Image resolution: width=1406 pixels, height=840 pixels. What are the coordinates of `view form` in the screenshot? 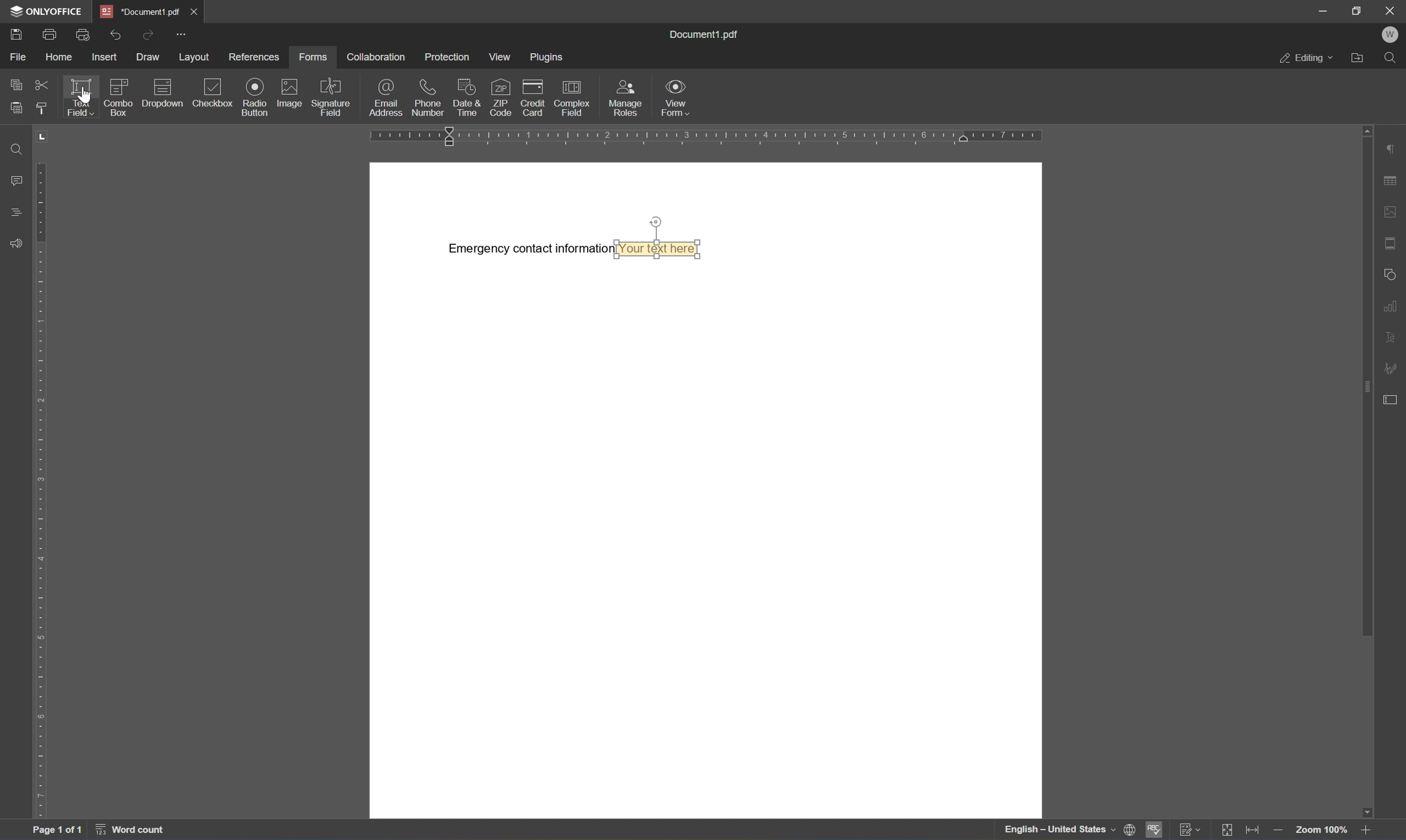 It's located at (677, 98).